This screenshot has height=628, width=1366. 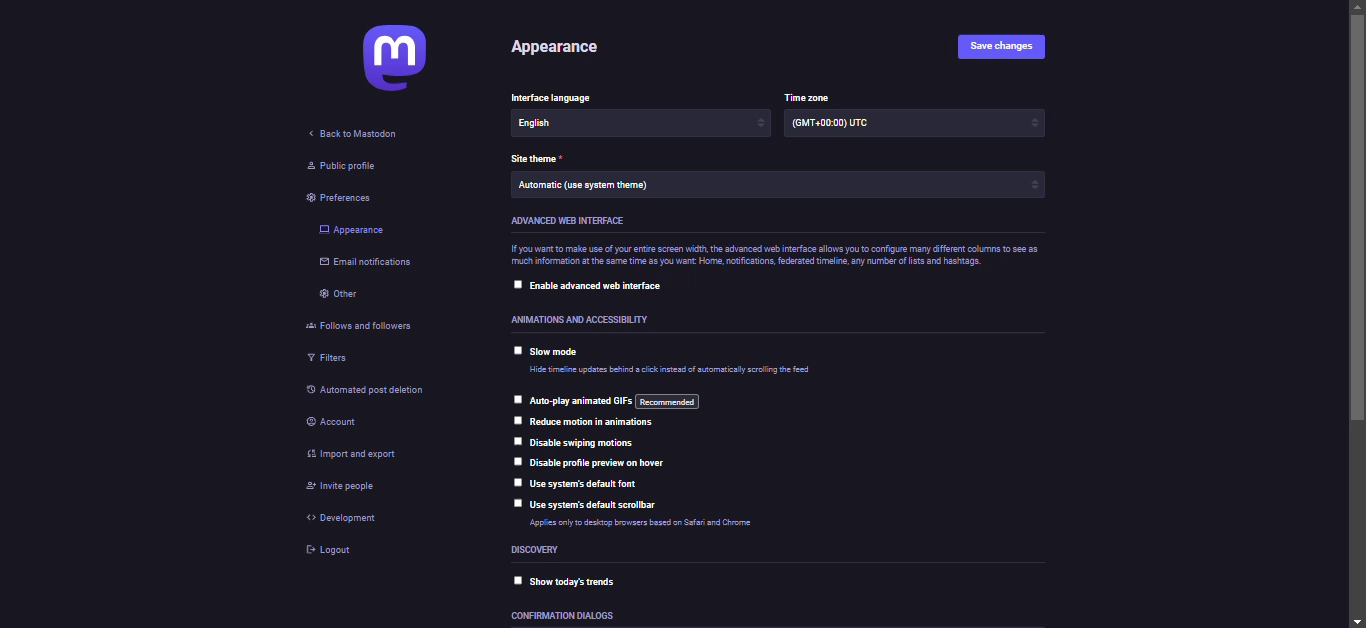 What do you see at coordinates (604, 461) in the screenshot?
I see `disable profile preview on hover` at bounding box center [604, 461].